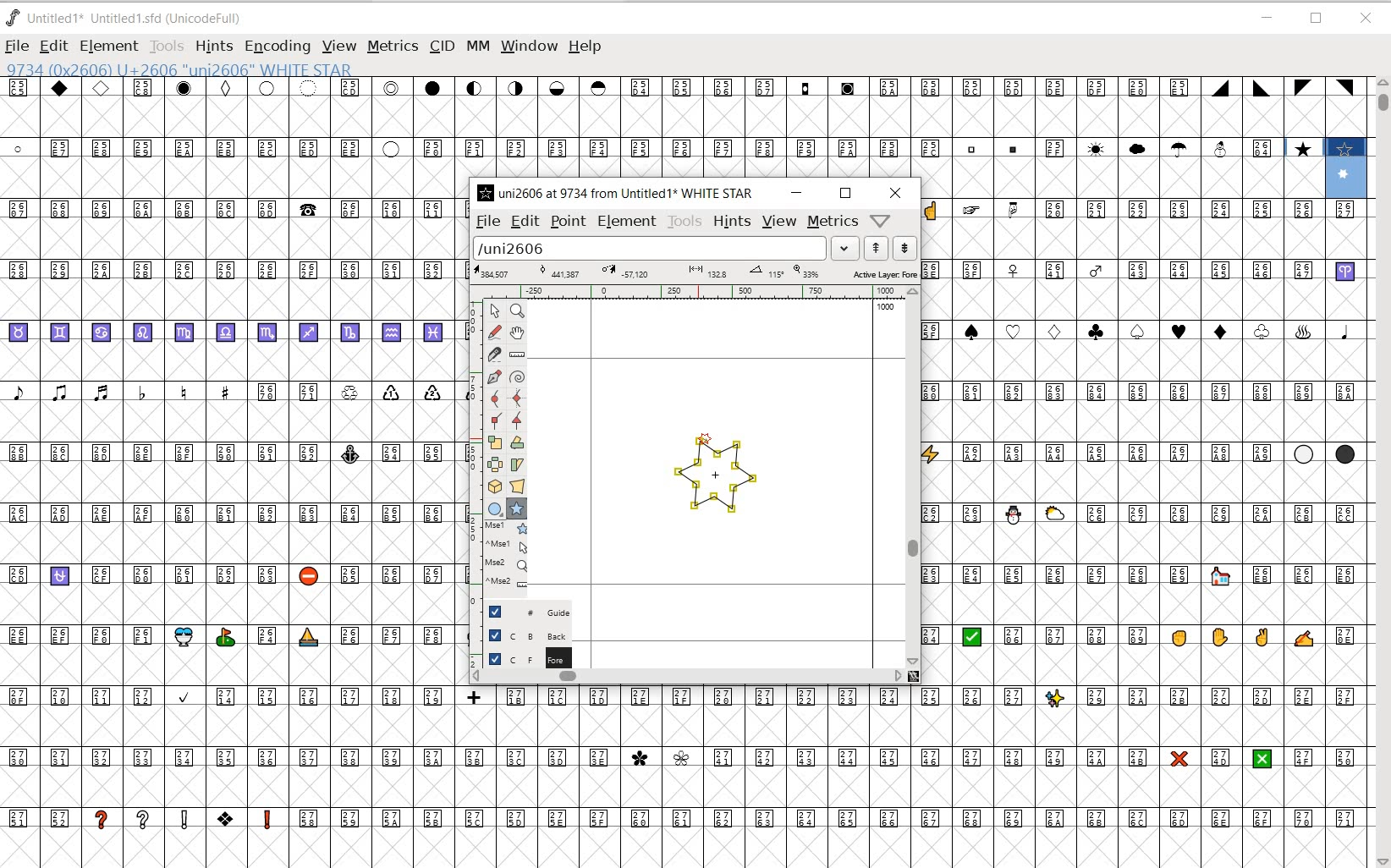 This screenshot has height=868, width=1391. Describe the element at coordinates (214, 47) in the screenshot. I see `HINTS` at that location.